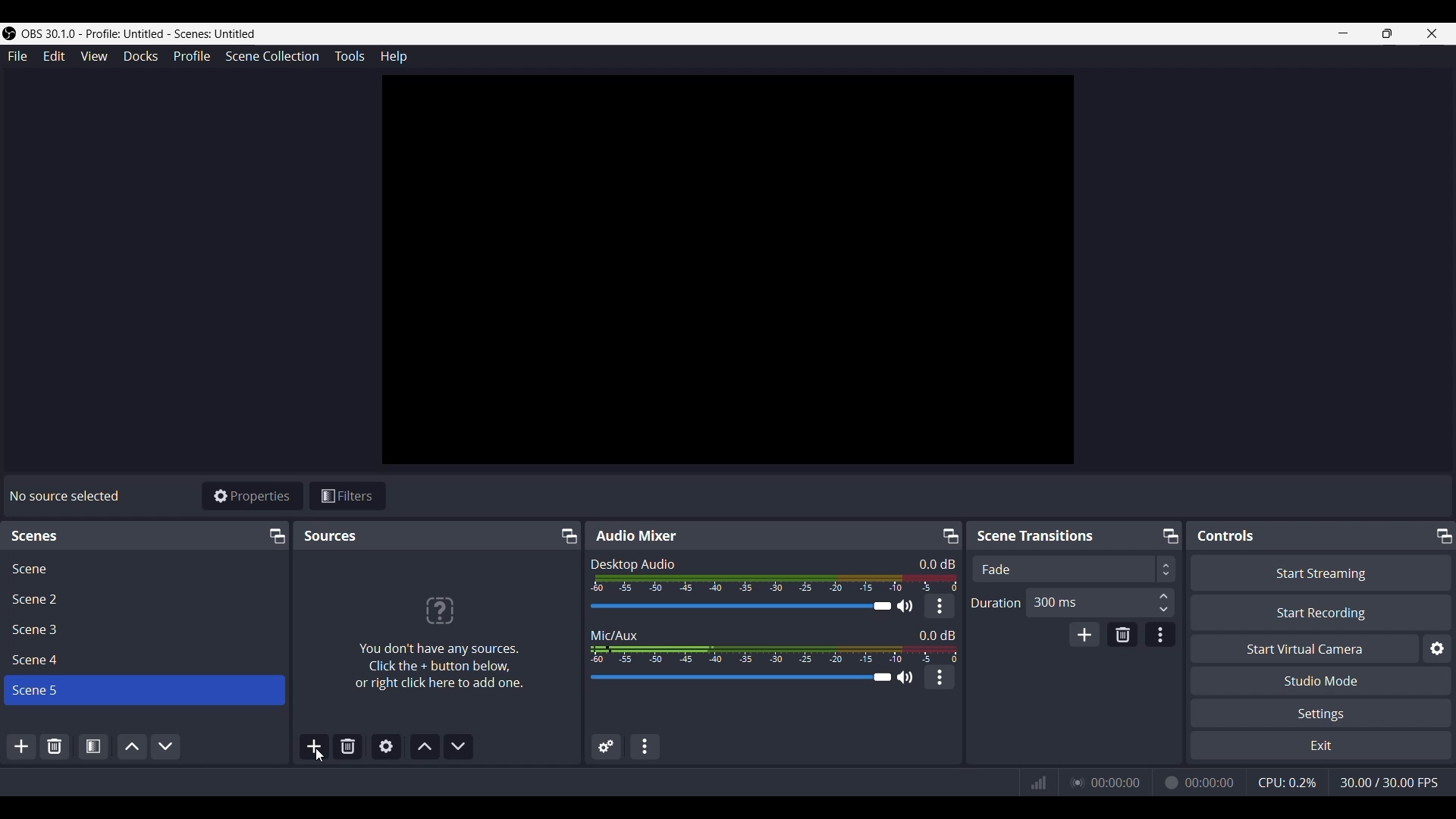 Image resolution: width=1456 pixels, height=819 pixels. Describe the element at coordinates (349, 56) in the screenshot. I see `Tools` at that location.